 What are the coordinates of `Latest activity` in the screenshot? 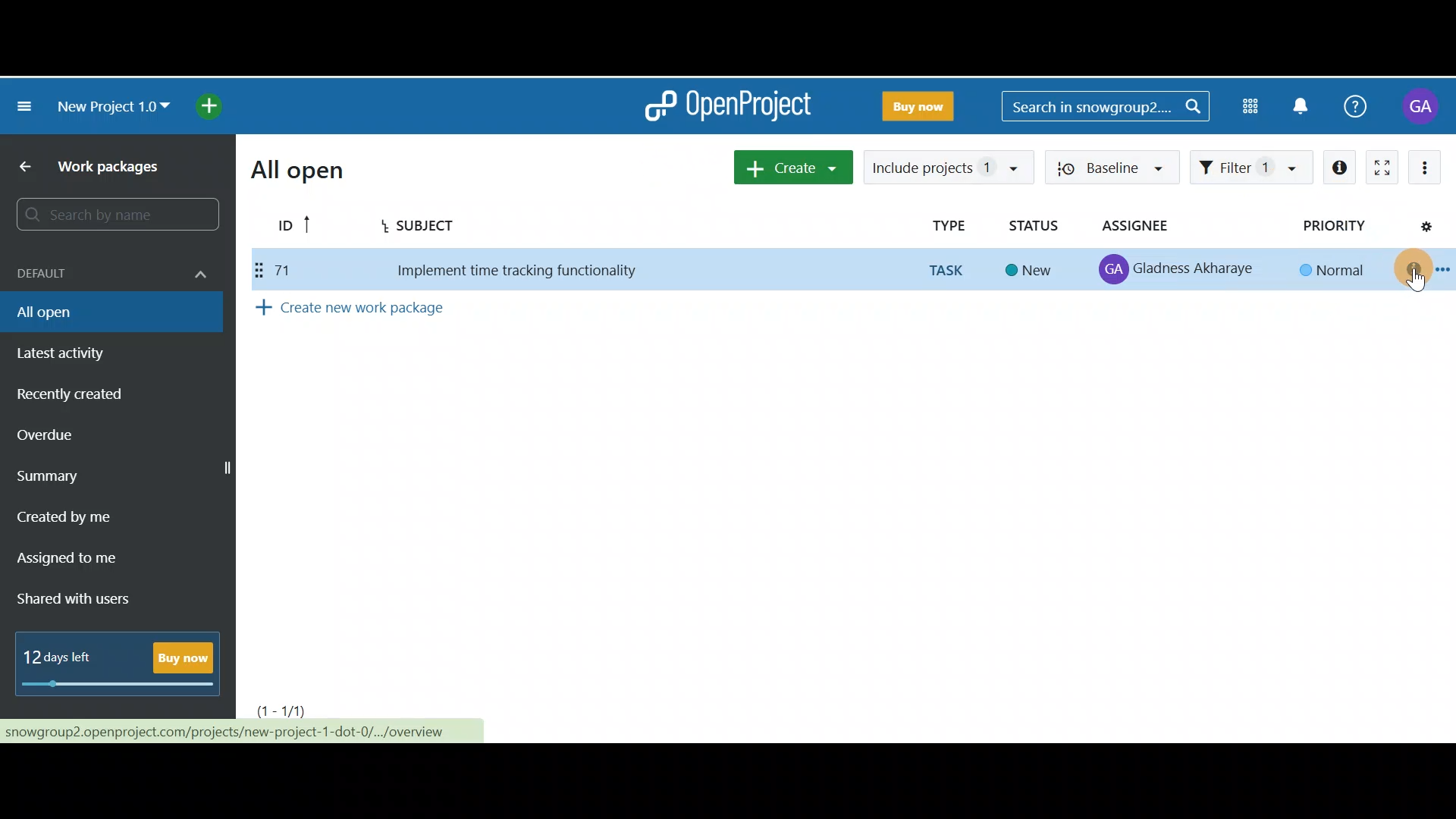 It's located at (74, 352).